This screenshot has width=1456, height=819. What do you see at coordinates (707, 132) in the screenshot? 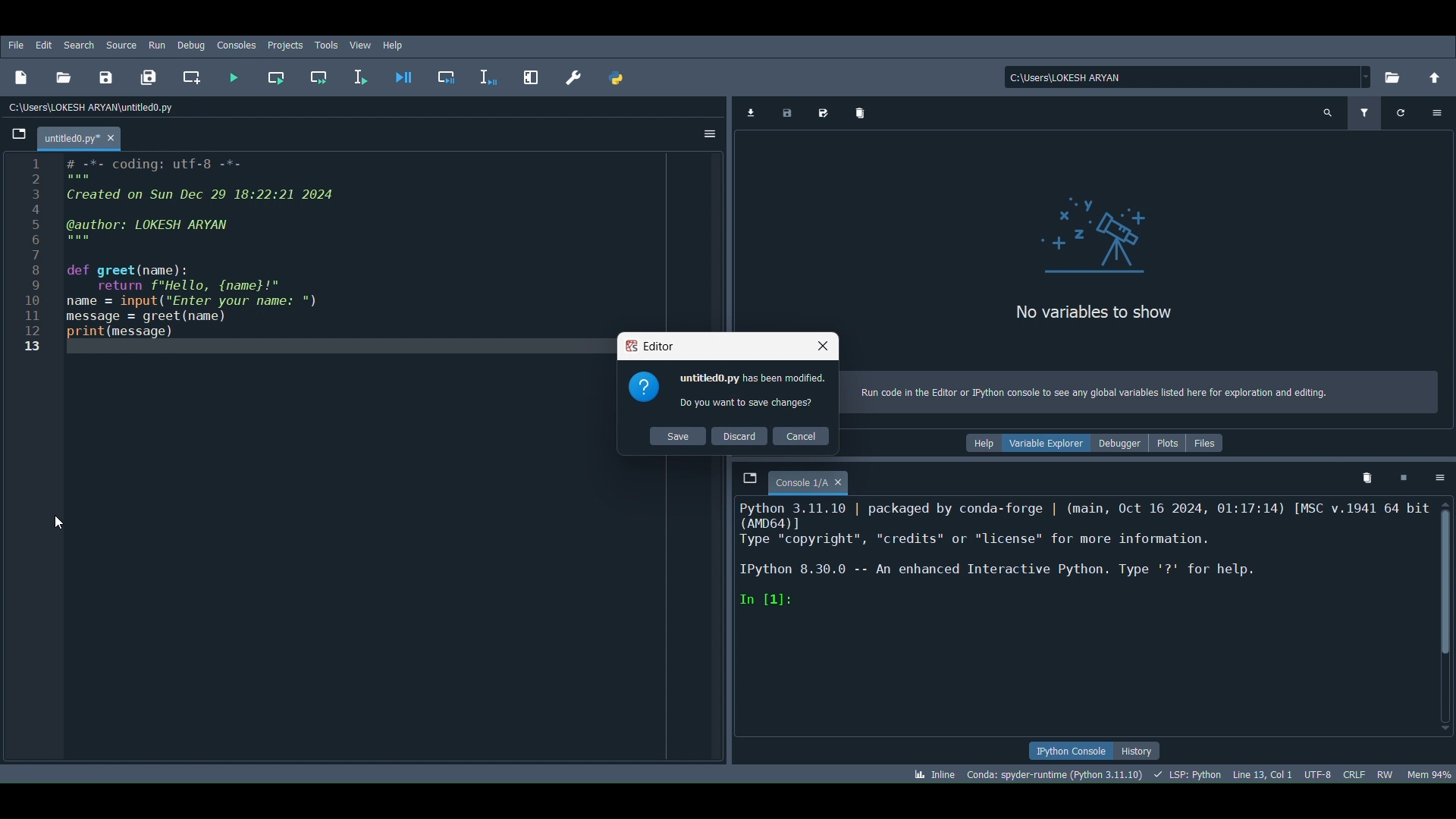
I see `Options` at bounding box center [707, 132].